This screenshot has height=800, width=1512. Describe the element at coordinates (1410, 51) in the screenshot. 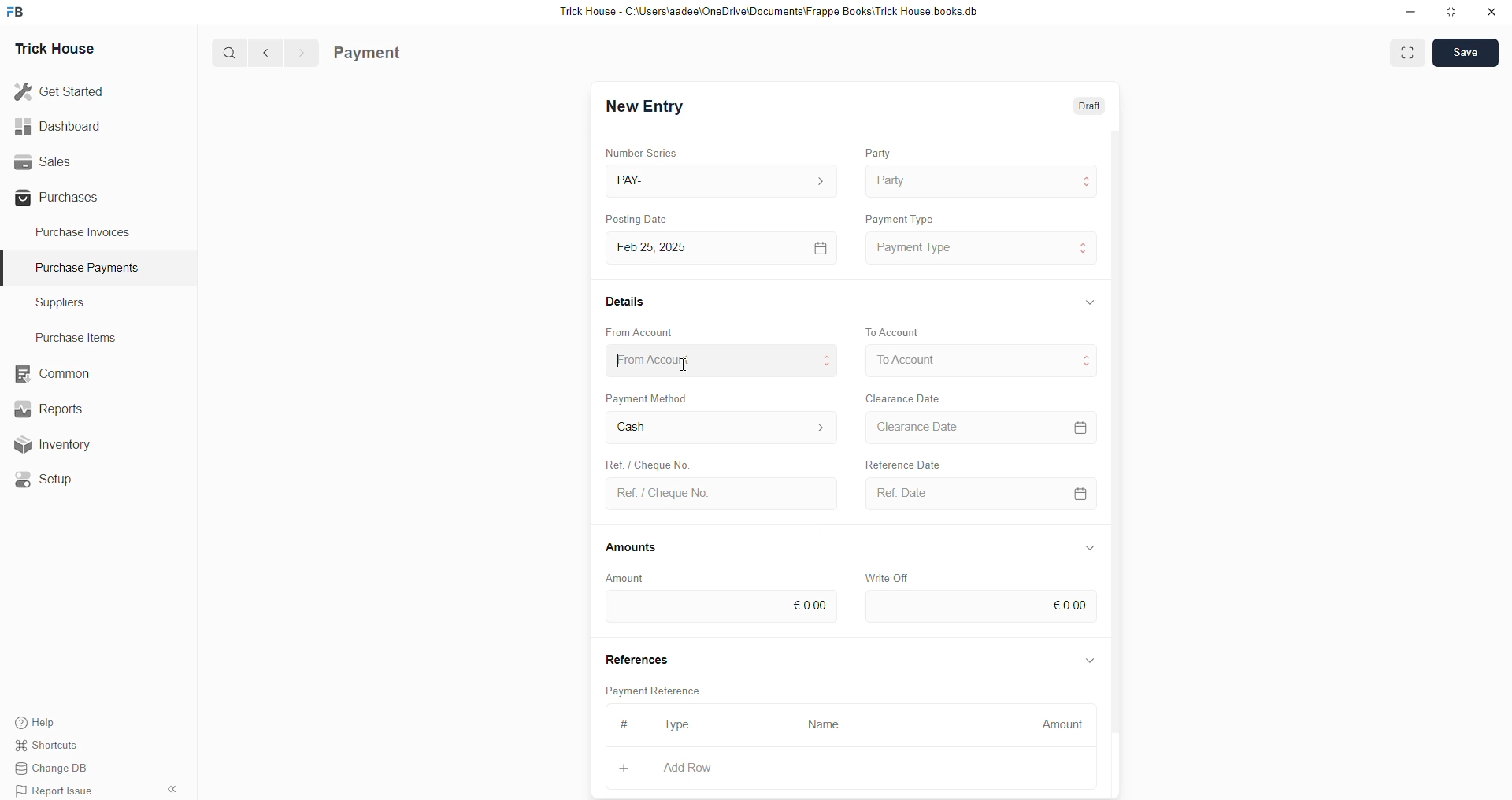

I see `EXPAND` at that location.